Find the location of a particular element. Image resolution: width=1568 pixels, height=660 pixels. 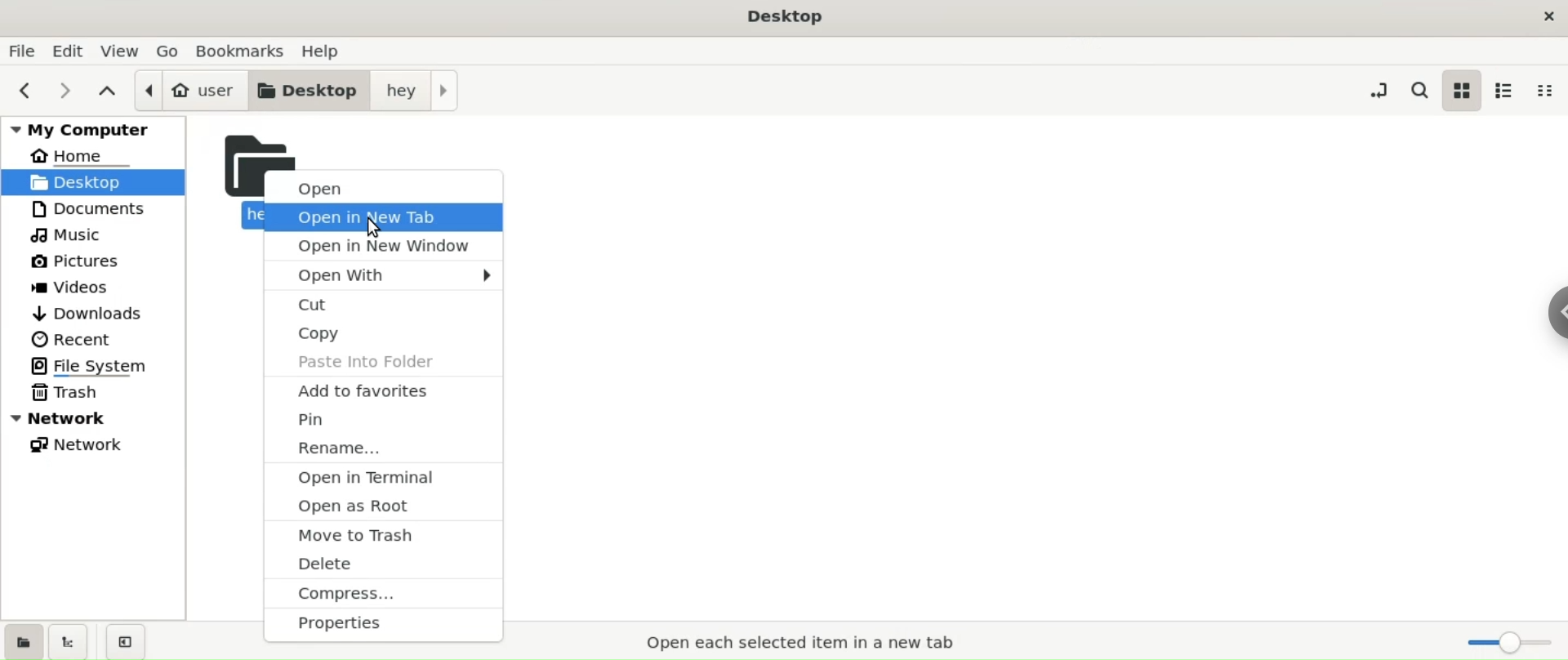

hey is located at coordinates (417, 89).